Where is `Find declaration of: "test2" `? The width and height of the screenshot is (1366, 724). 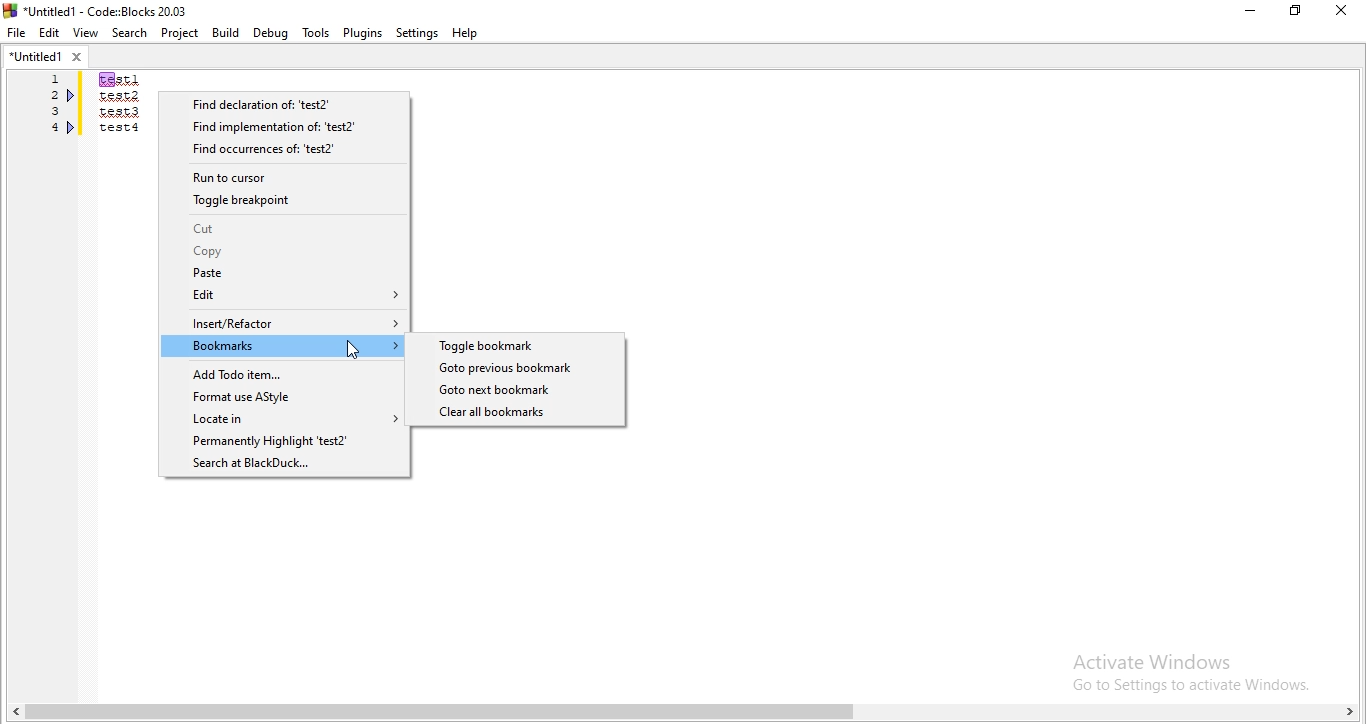
Find declaration of: "test2"  is located at coordinates (286, 103).